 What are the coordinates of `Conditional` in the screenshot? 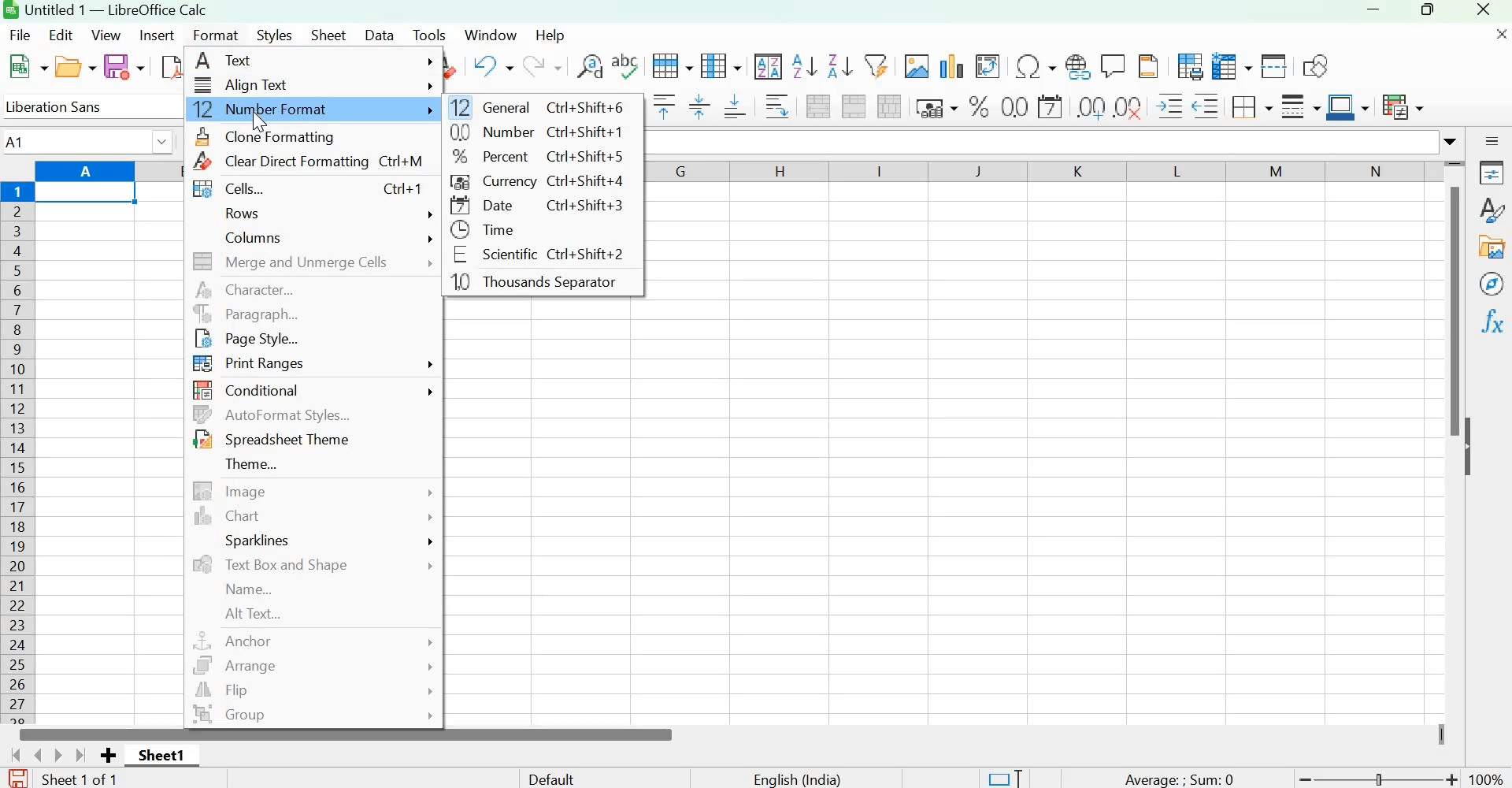 It's located at (249, 389).